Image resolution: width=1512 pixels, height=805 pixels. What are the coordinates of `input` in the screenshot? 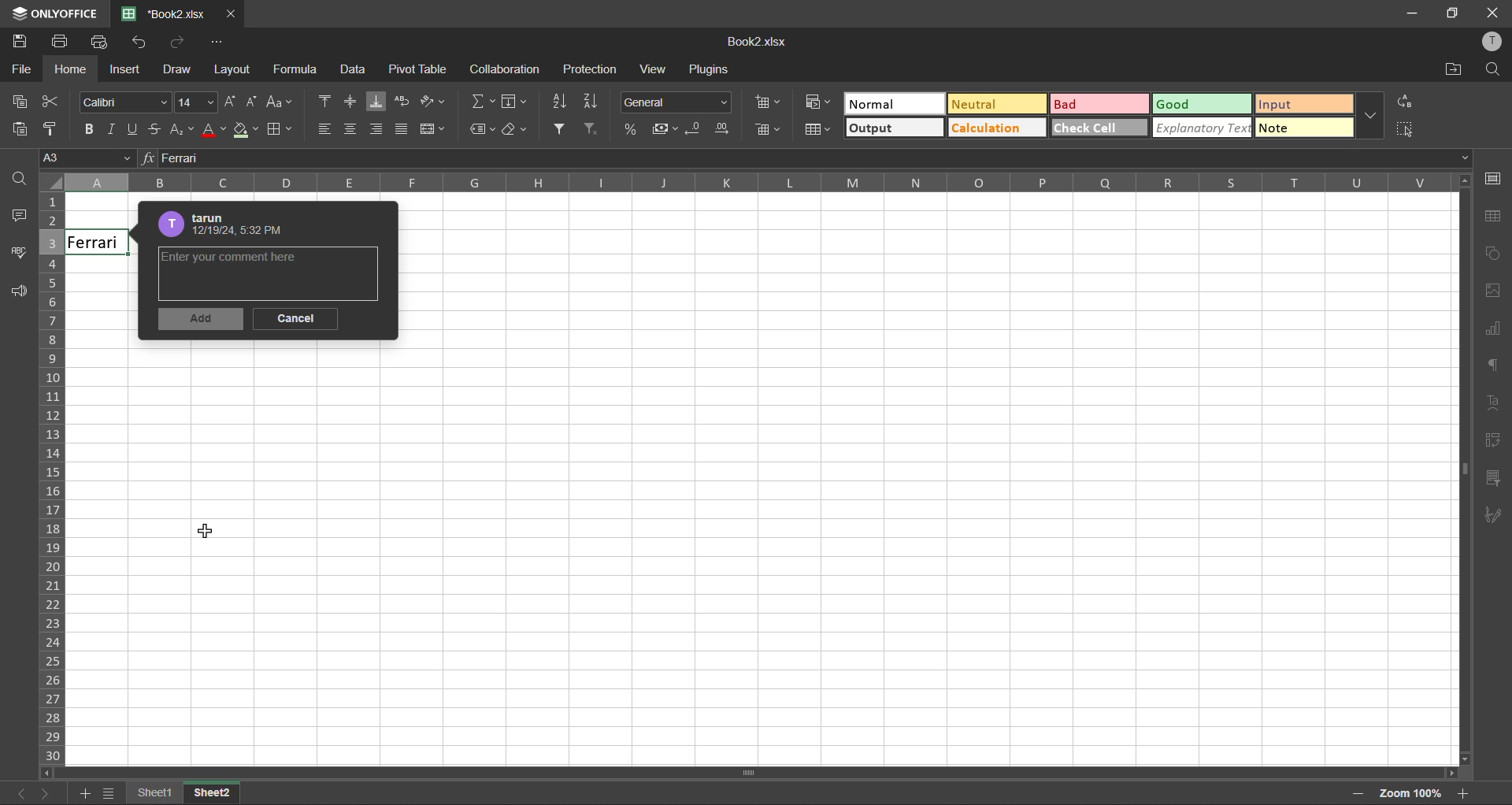 It's located at (1307, 104).